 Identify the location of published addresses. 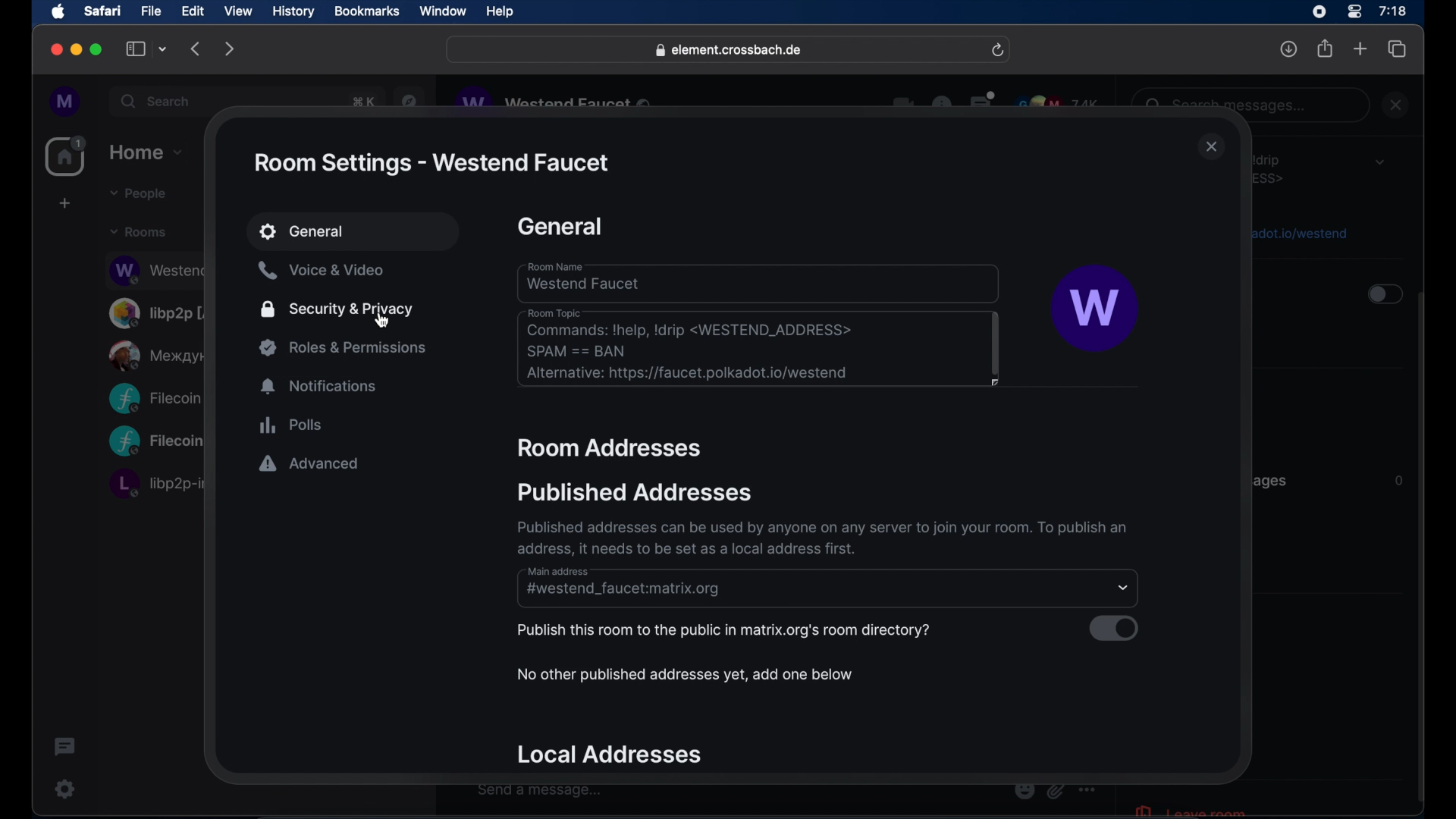
(634, 491).